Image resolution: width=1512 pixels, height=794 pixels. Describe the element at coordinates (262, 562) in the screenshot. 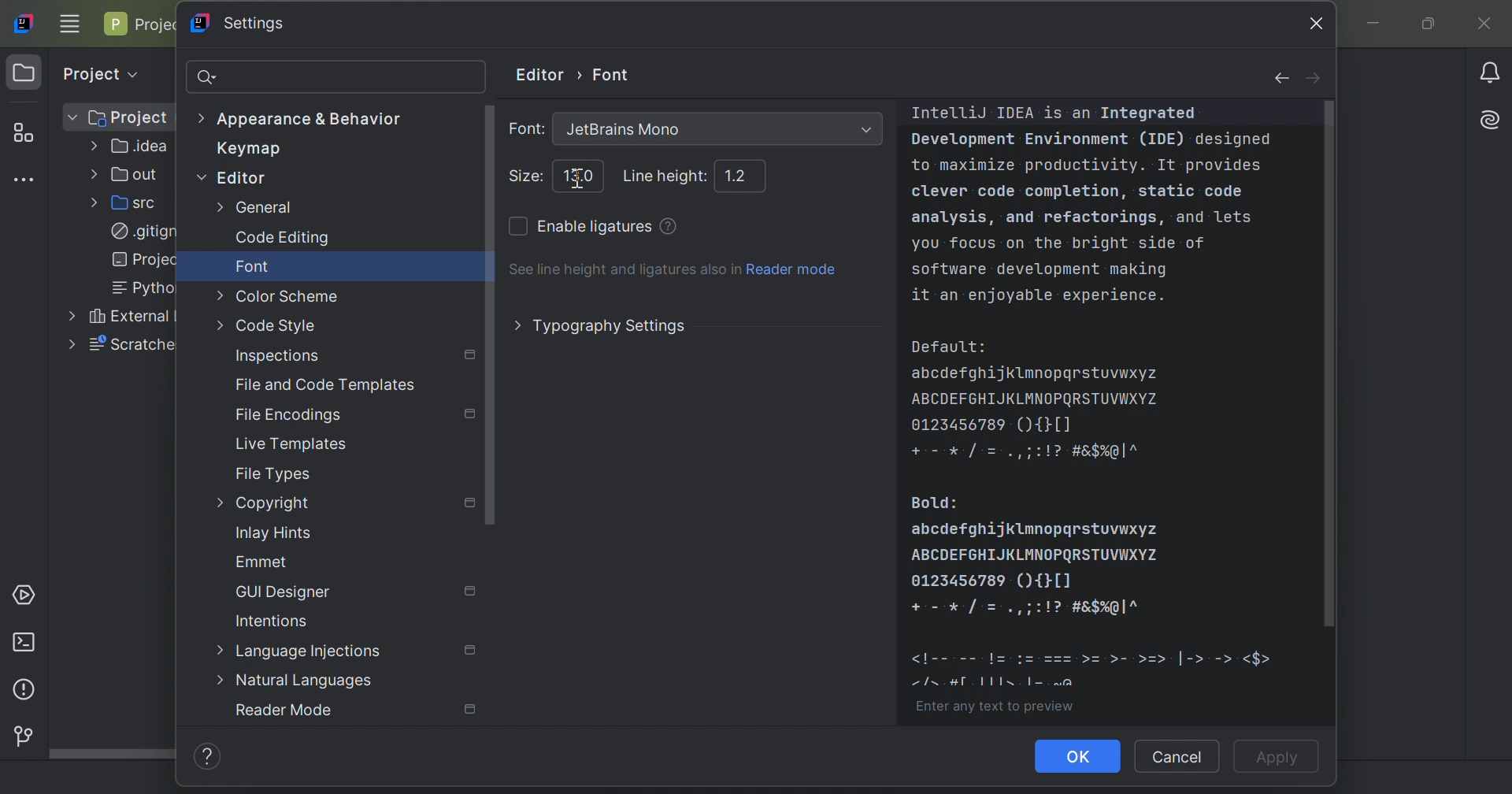

I see `Emmet` at that location.